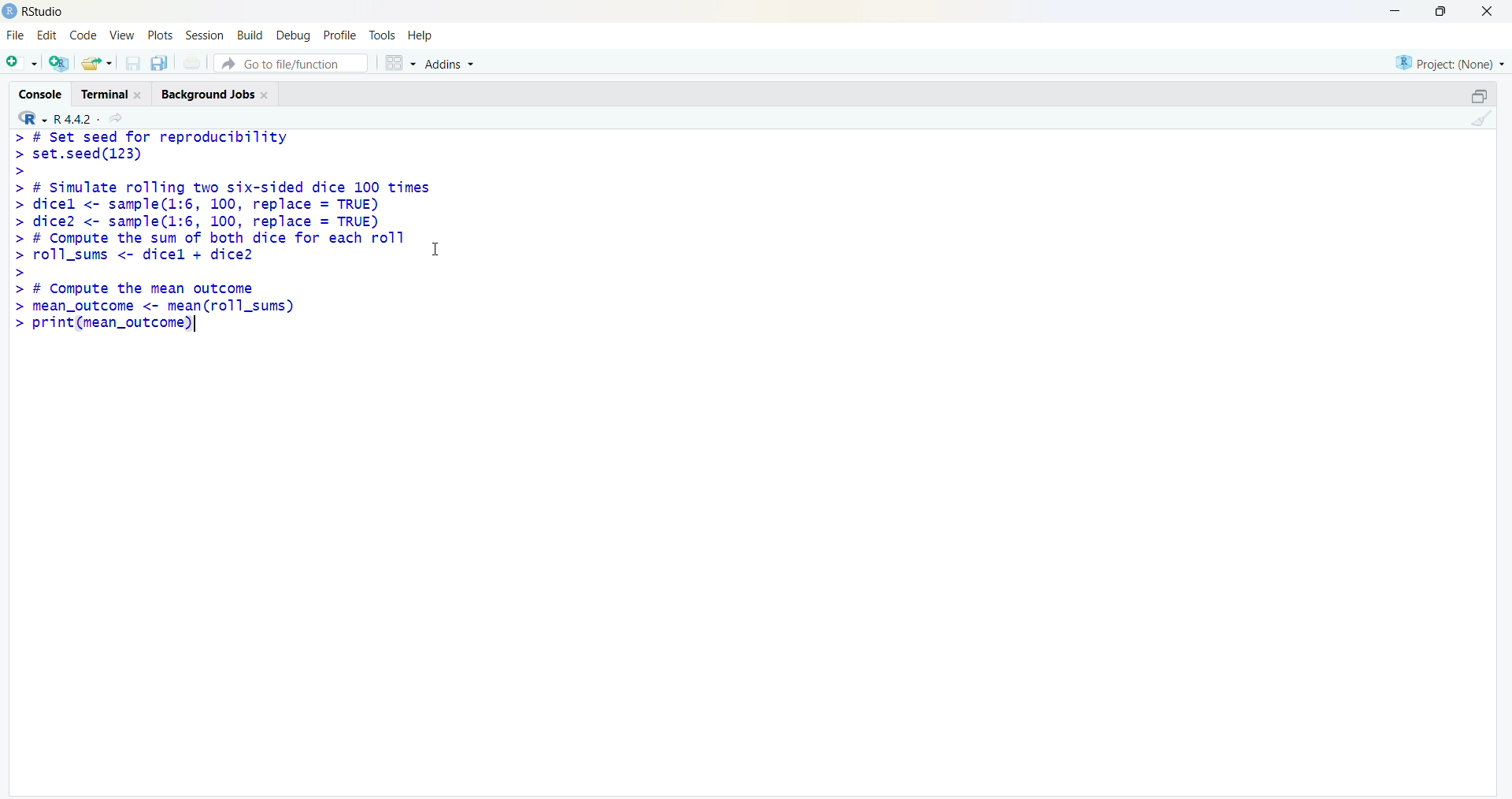 This screenshot has height=799, width=1512. I want to click on minimise, so click(1397, 9).